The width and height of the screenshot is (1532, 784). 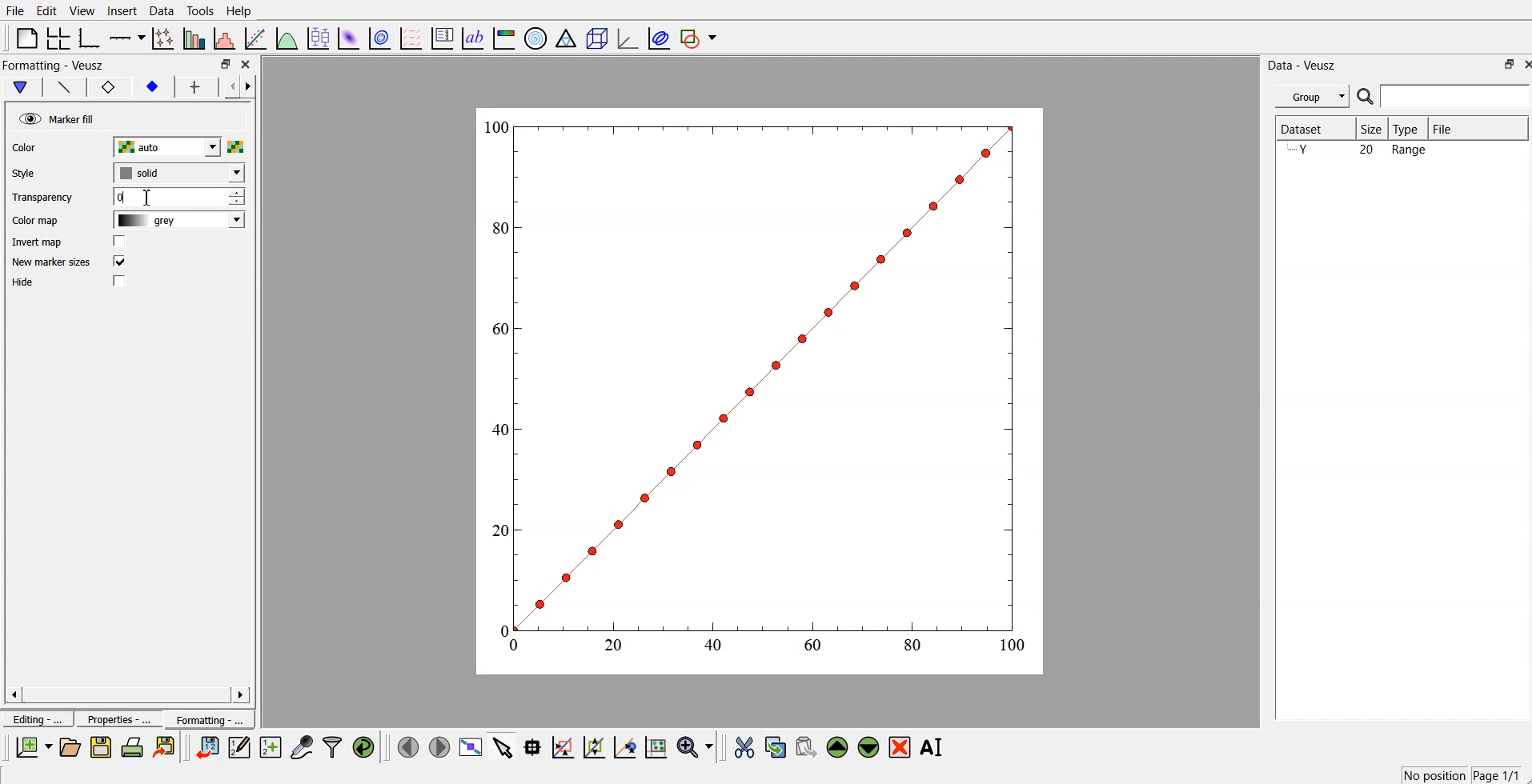 What do you see at coordinates (26, 38) in the screenshot?
I see `blank page` at bounding box center [26, 38].